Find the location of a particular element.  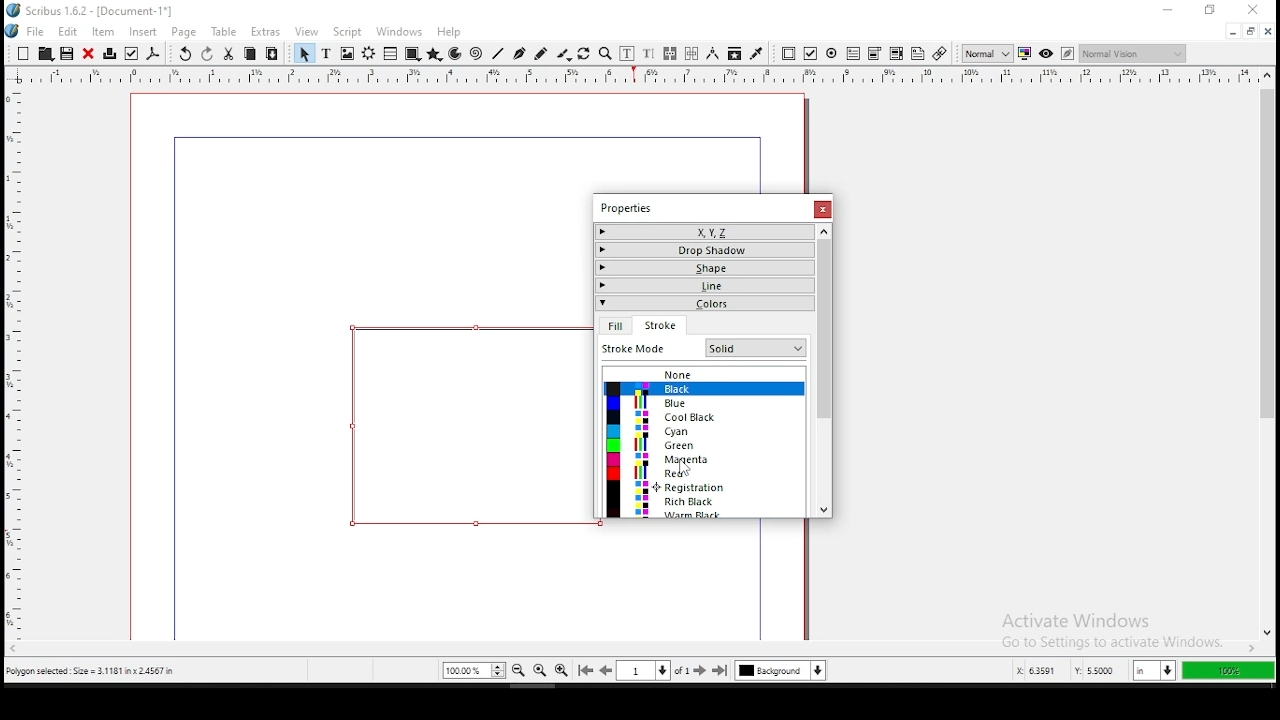

icon and file name is located at coordinates (91, 11).